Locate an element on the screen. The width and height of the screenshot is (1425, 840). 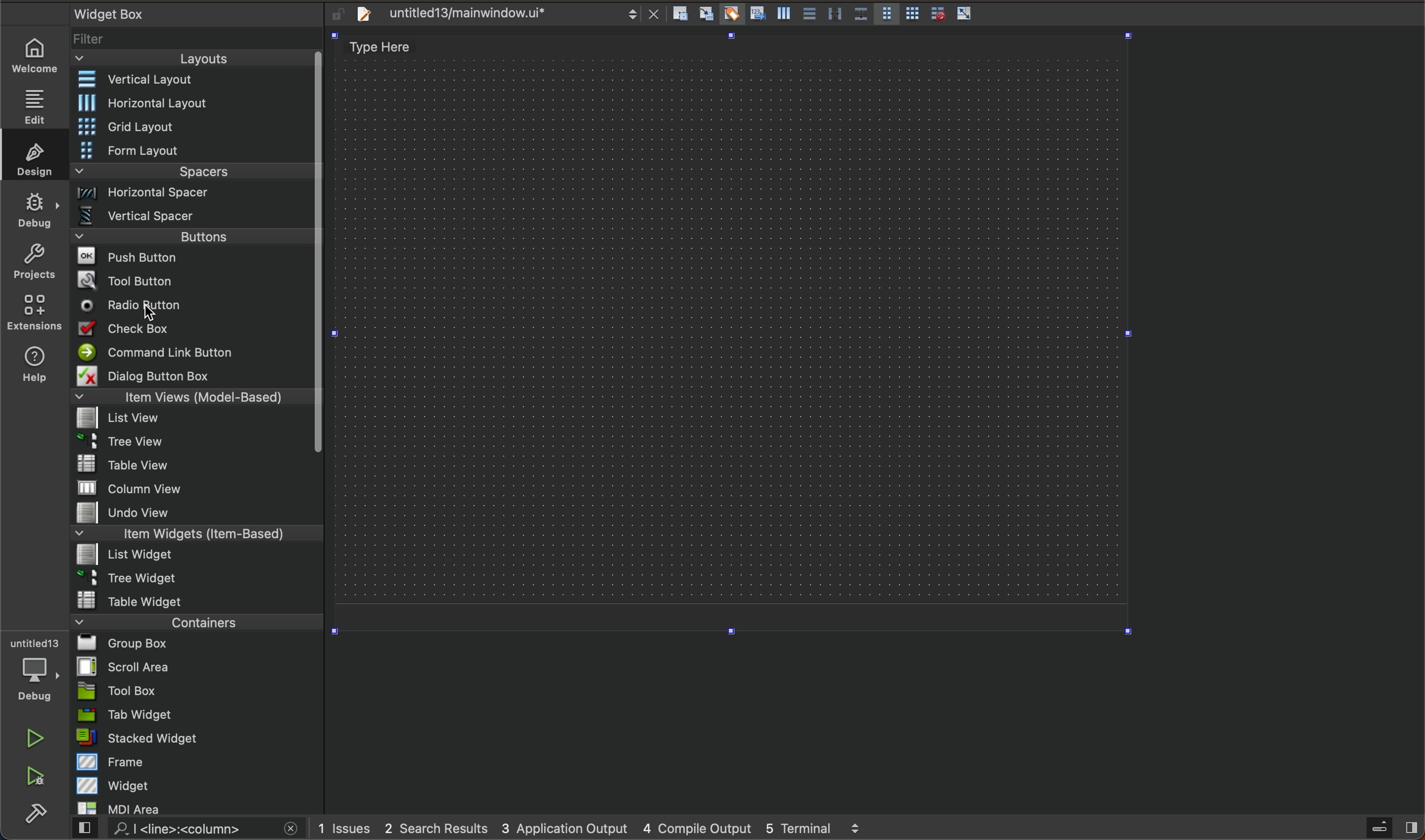
undo view is located at coordinates (197, 512).